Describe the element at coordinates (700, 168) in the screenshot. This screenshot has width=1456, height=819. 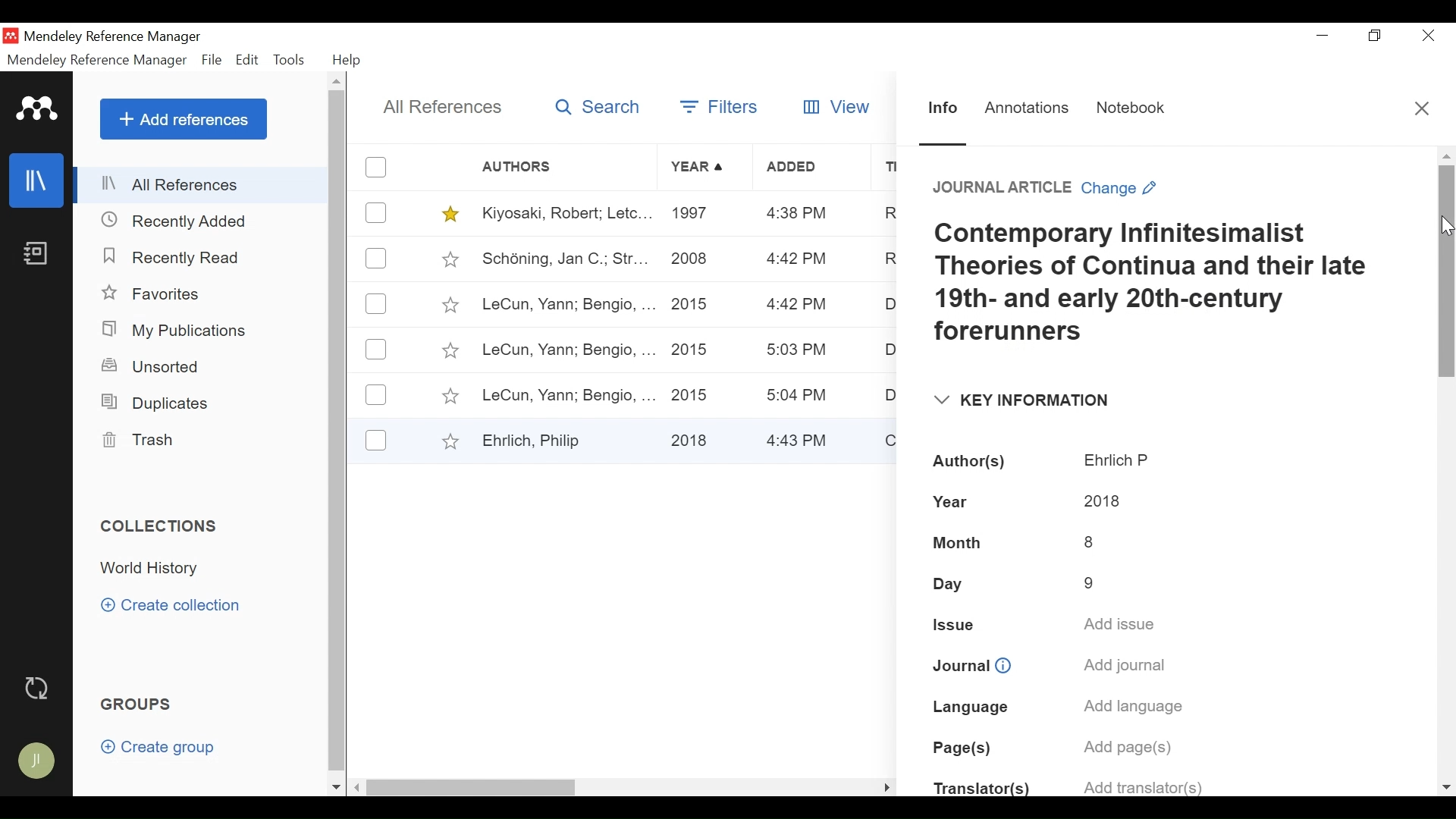
I see `Year` at that location.